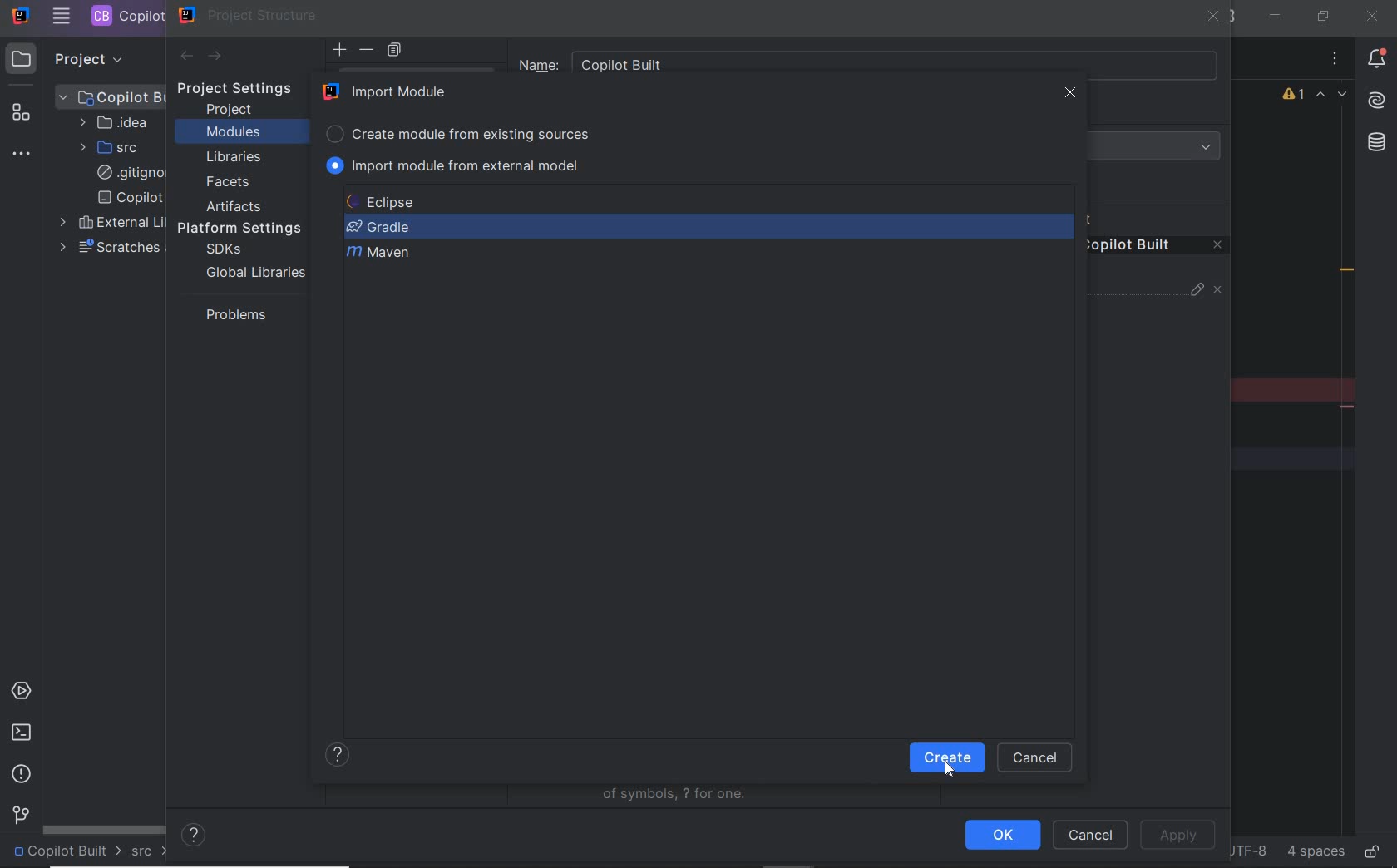  What do you see at coordinates (394, 51) in the screenshot?
I see `copy` at bounding box center [394, 51].